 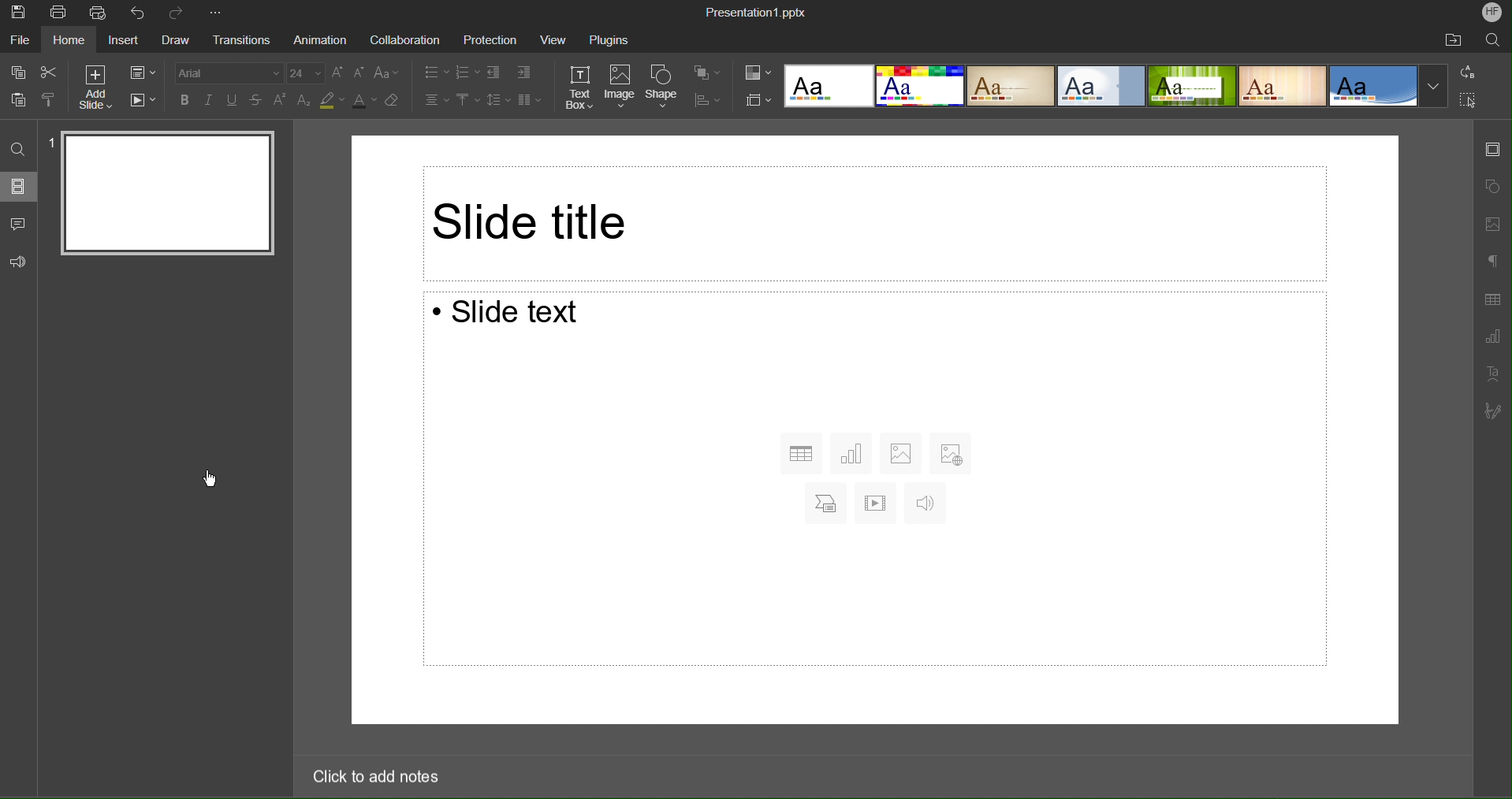 What do you see at coordinates (215, 13) in the screenshot?
I see `More Options` at bounding box center [215, 13].